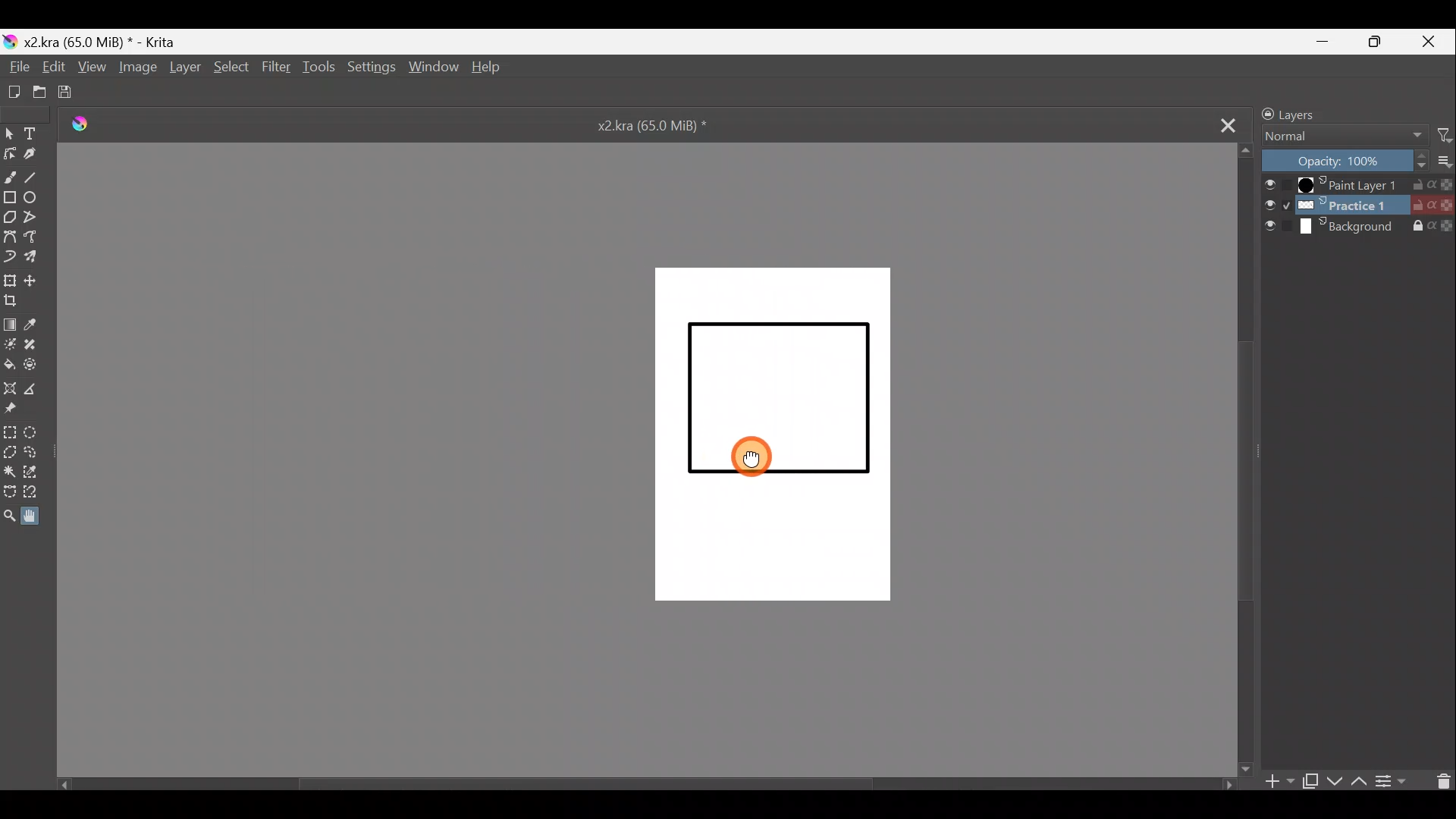 This screenshot has width=1456, height=819. Describe the element at coordinates (35, 238) in the screenshot. I see `Freehand path tool` at that location.